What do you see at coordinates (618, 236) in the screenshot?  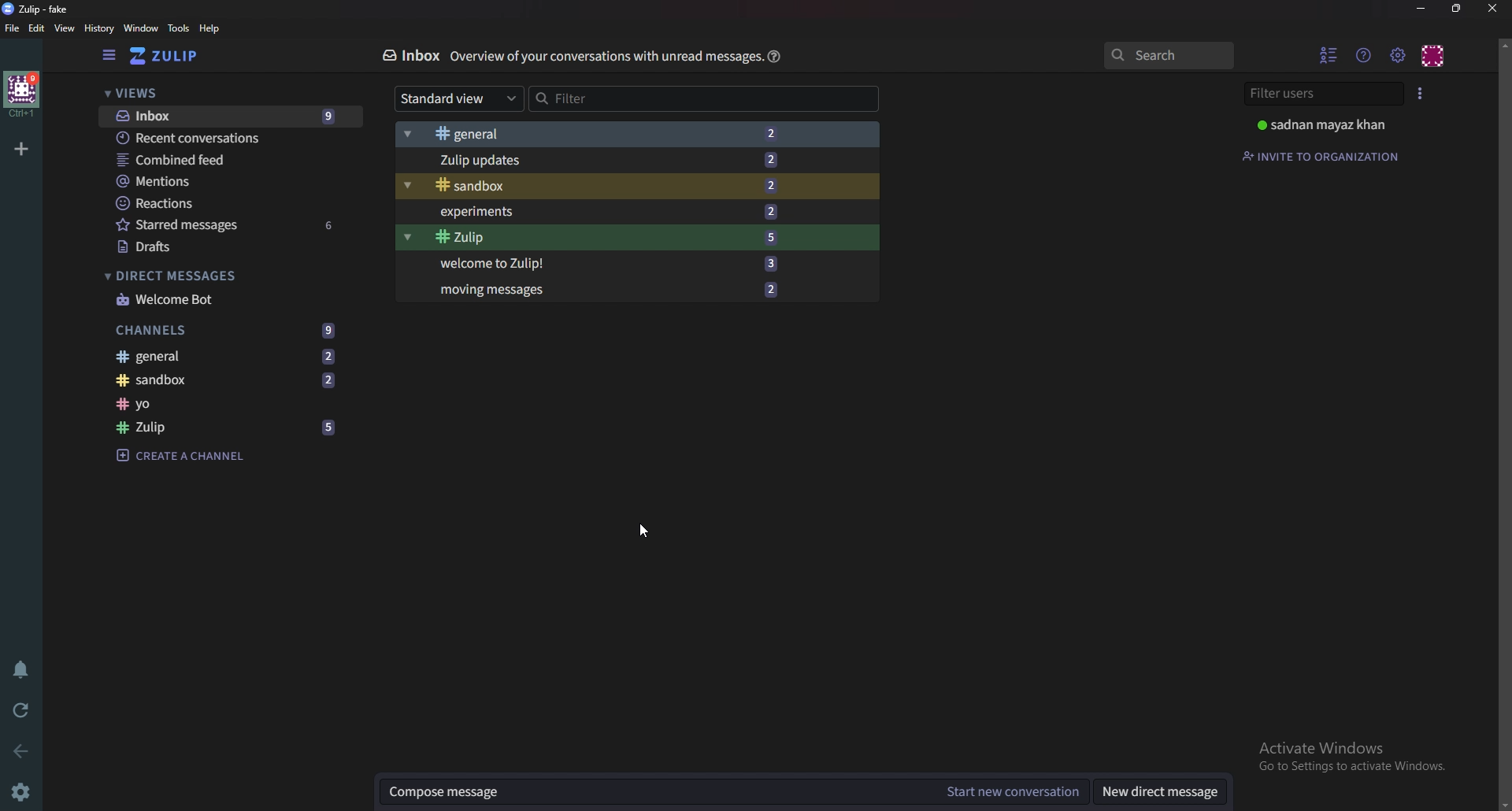 I see `Zulip` at bounding box center [618, 236].